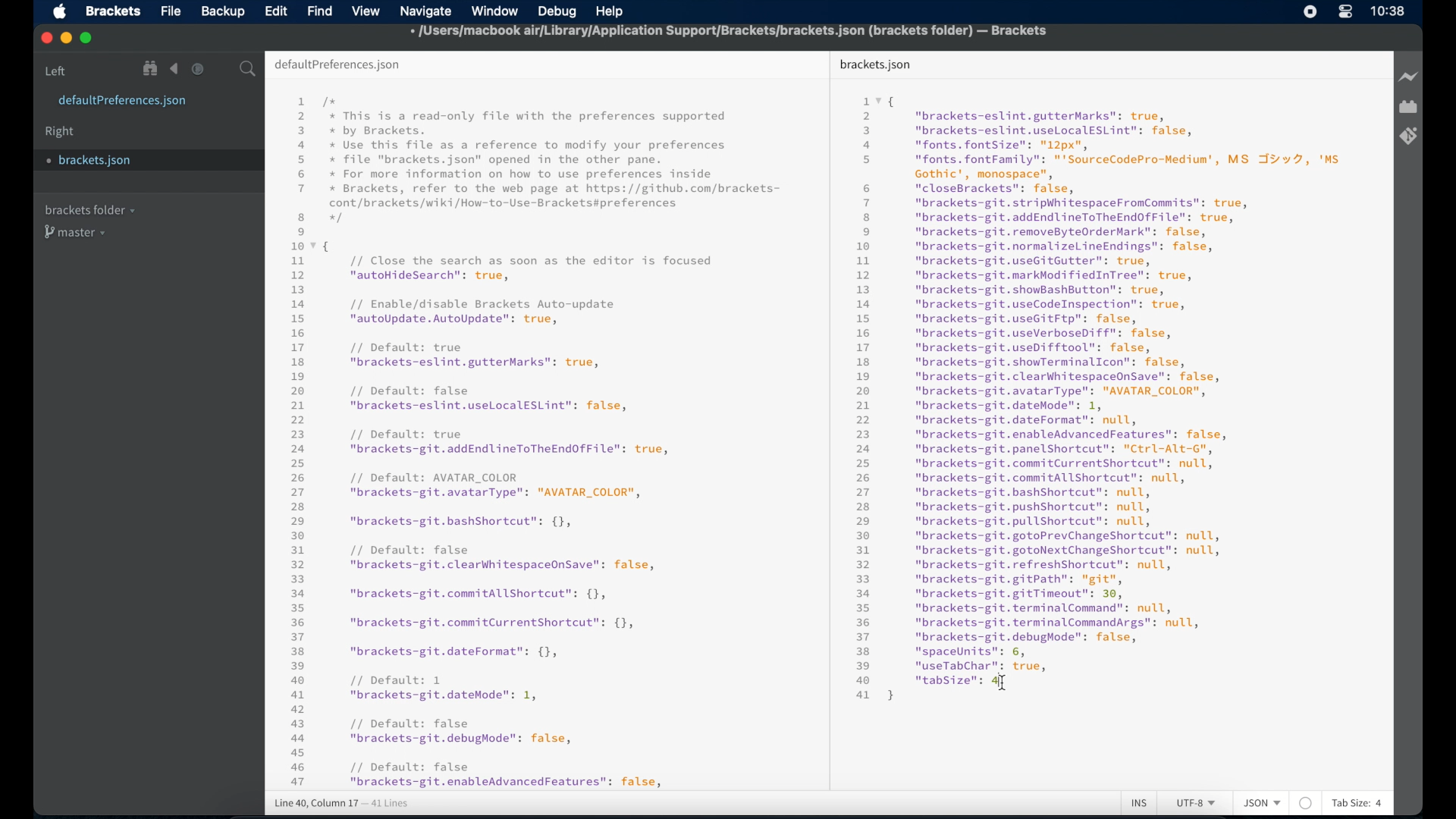 This screenshot has height=819, width=1456. What do you see at coordinates (1006, 682) in the screenshot?
I see `Cursor` at bounding box center [1006, 682].